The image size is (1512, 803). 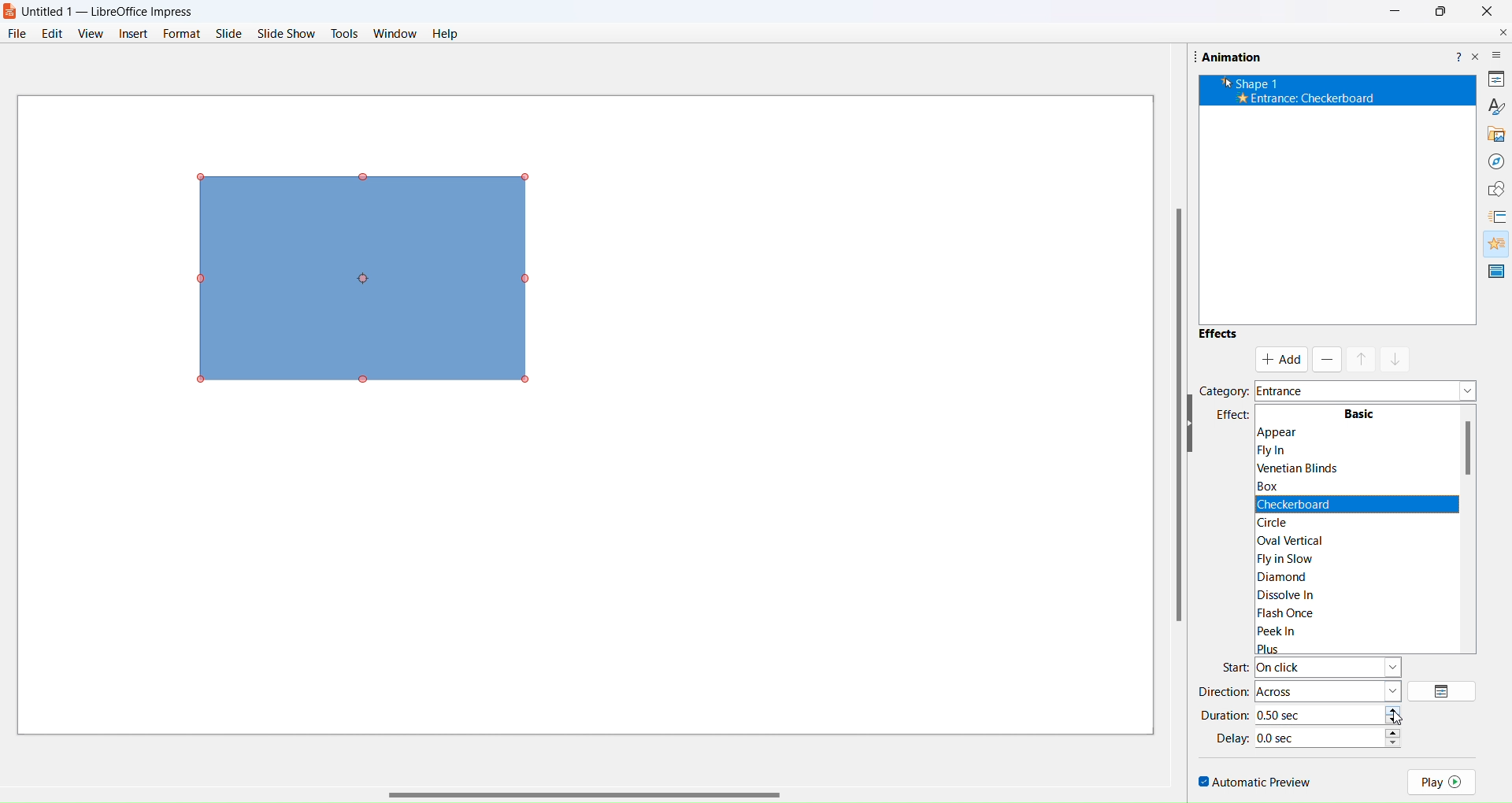 What do you see at coordinates (1254, 779) in the screenshot?
I see `automatic preview` at bounding box center [1254, 779].